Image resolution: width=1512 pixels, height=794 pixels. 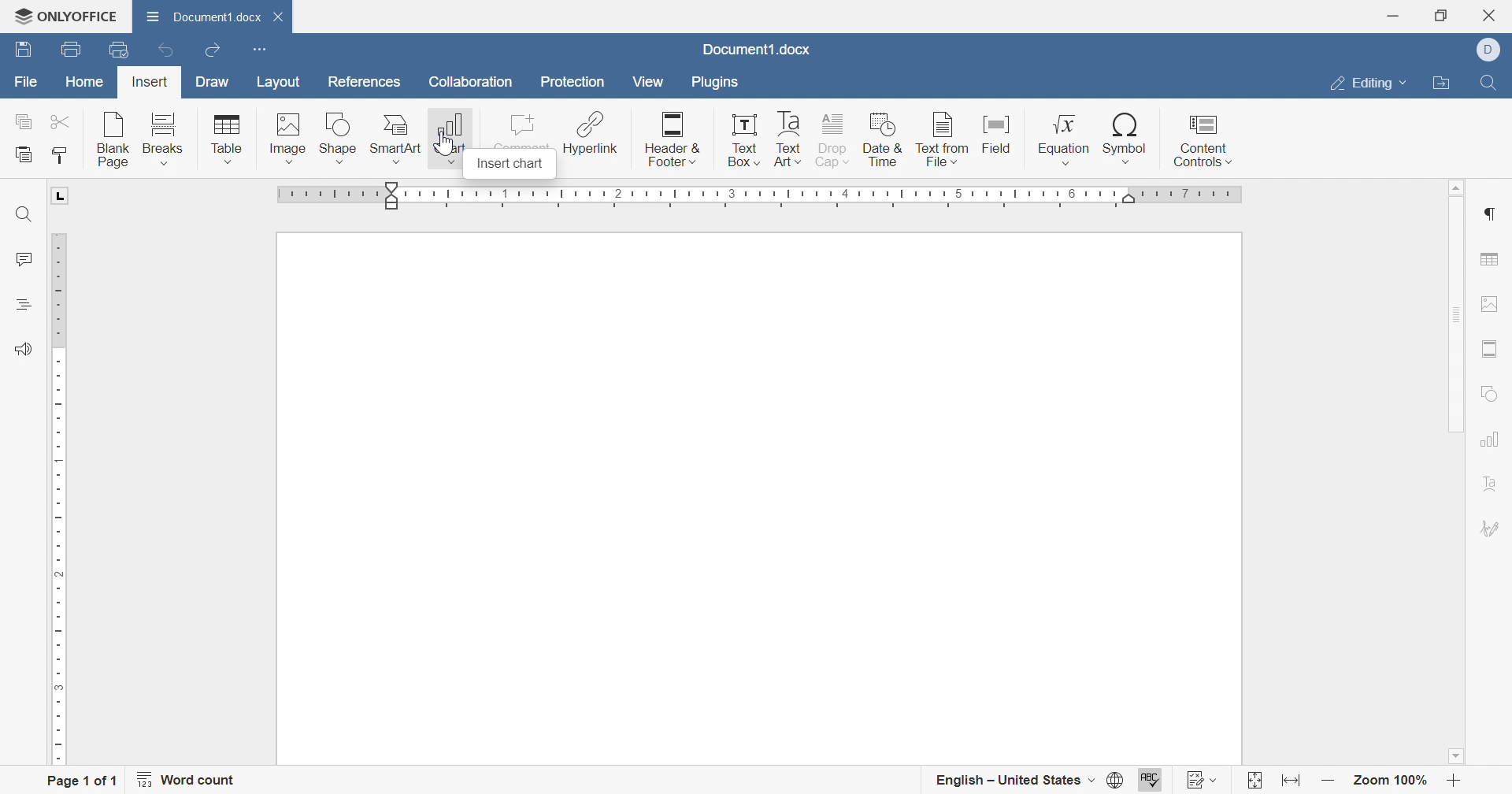 What do you see at coordinates (117, 50) in the screenshot?
I see `Quick print` at bounding box center [117, 50].